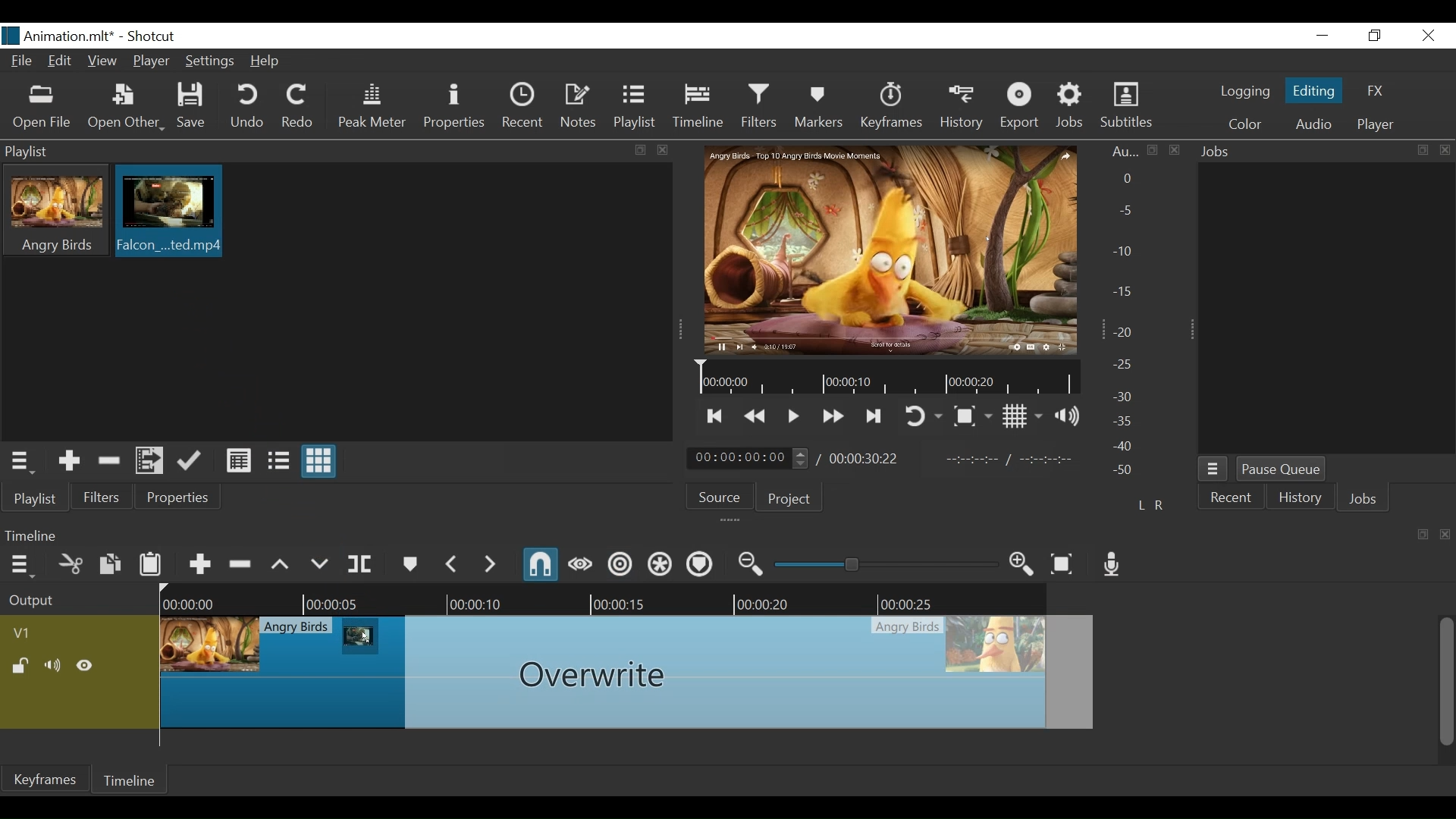 The height and width of the screenshot is (819, 1456). What do you see at coordinates (720, 497) in the screenshot?
I see `Source` at bounding box center [720, 497].